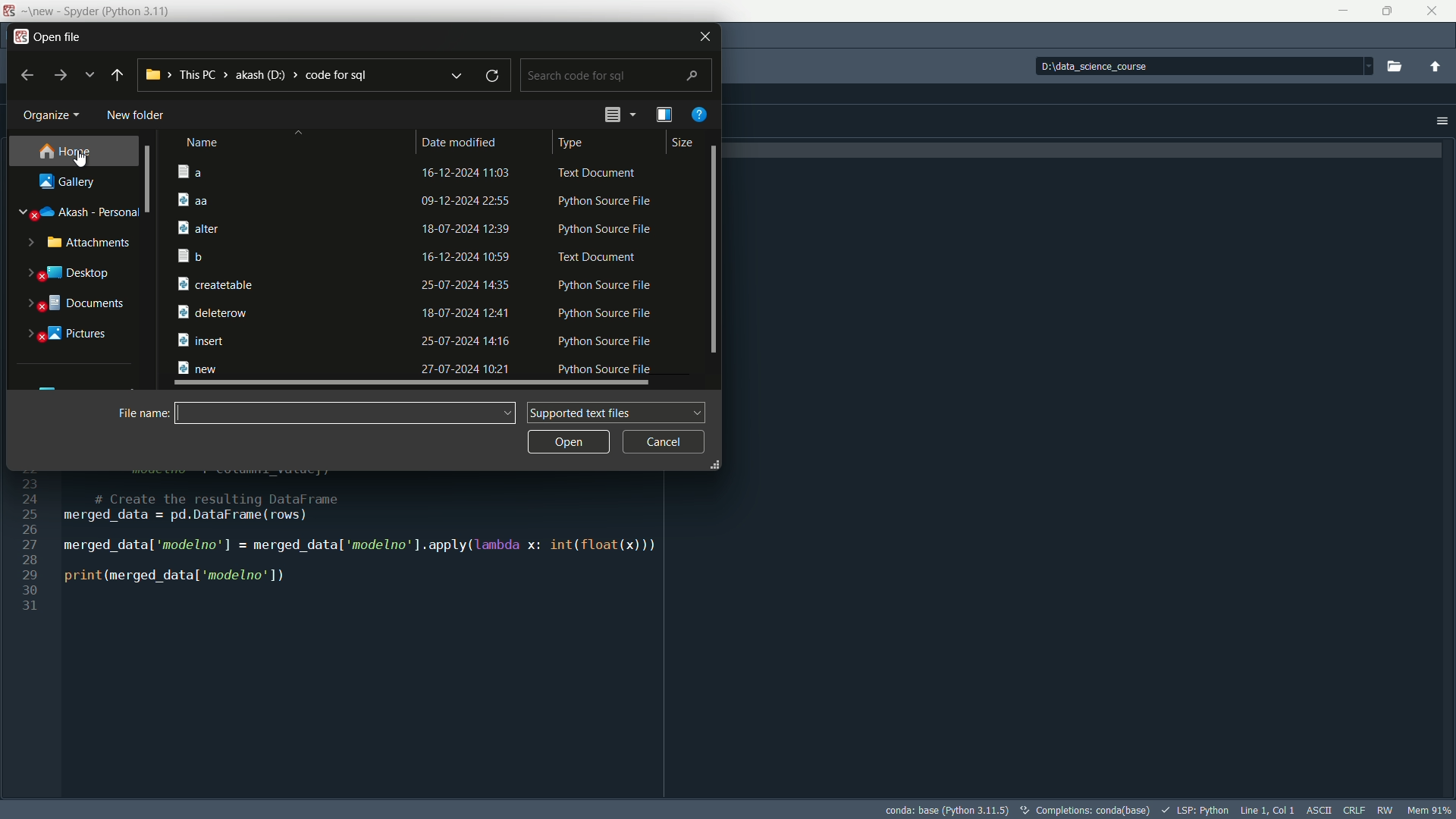 This screenshot has width=1456, height=819. I want to click on date modified, so click(471, 143).